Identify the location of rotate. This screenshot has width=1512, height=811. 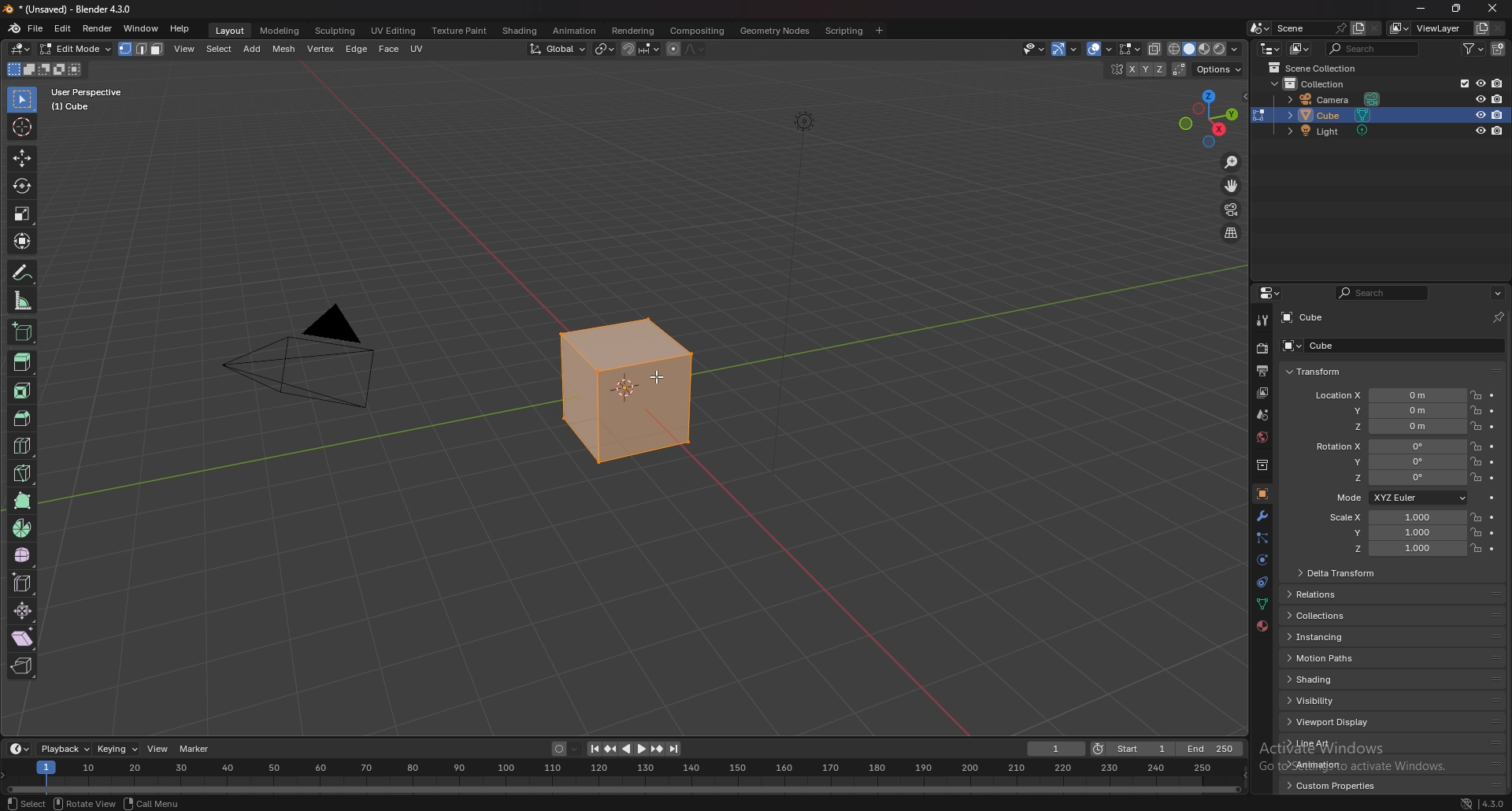
(20, 186).